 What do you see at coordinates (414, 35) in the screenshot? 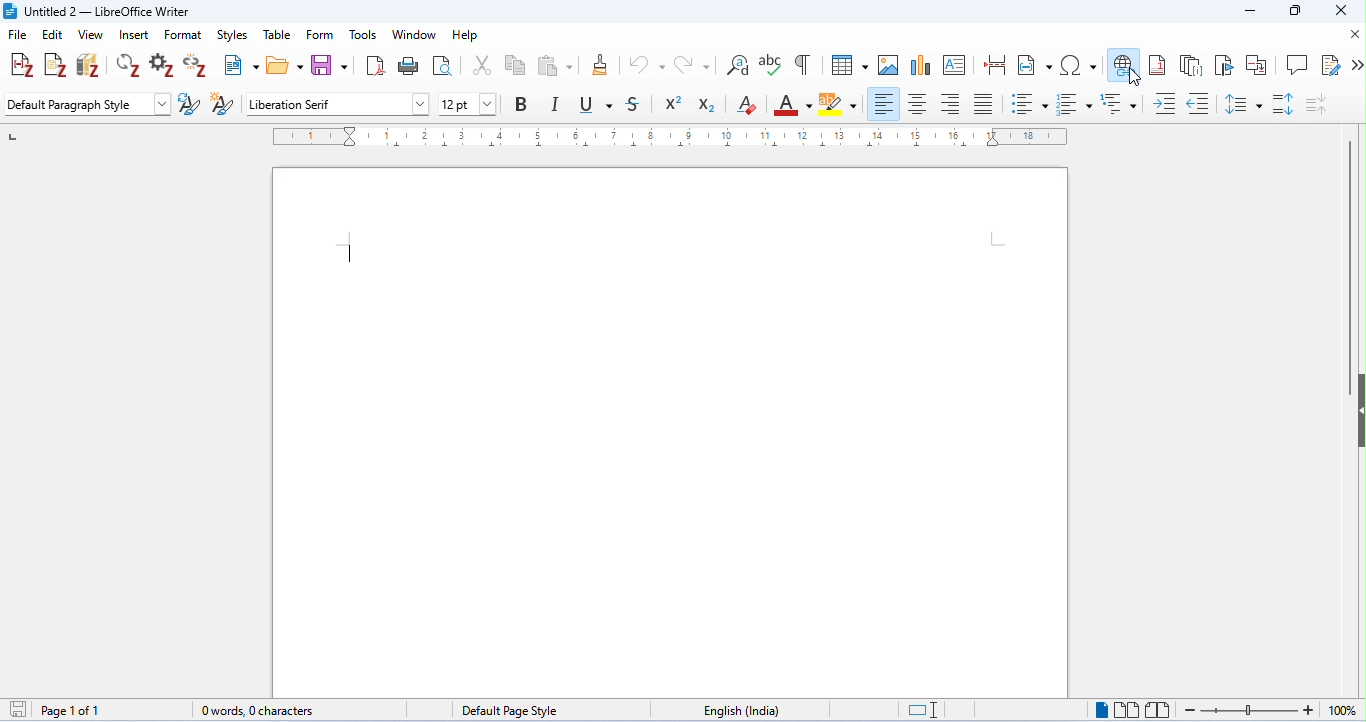
I see `window` at bounding box center [414, 35].